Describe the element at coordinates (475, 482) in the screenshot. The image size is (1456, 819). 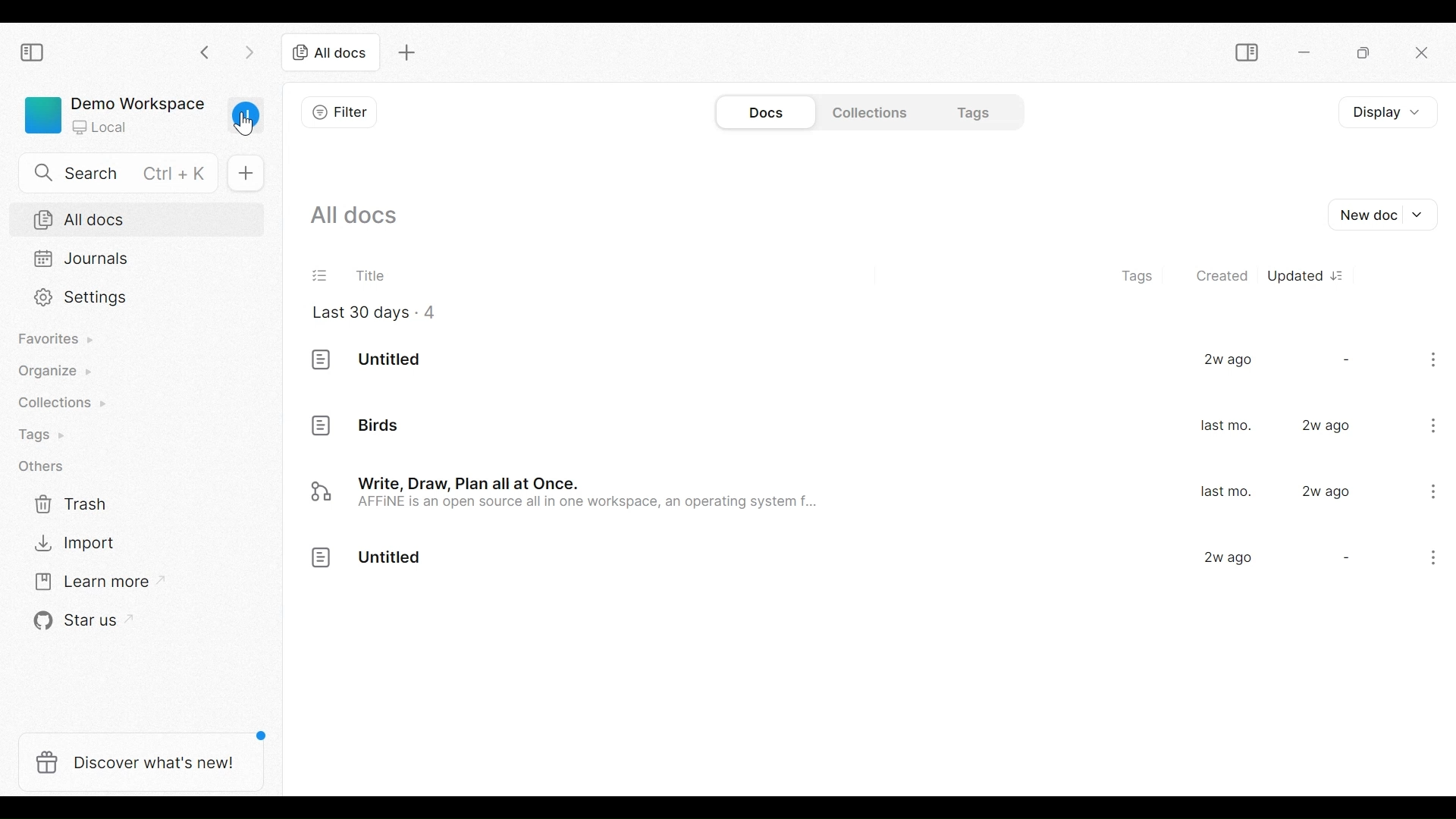
I see `Write, Draw, Plan all at Once.` at that location.